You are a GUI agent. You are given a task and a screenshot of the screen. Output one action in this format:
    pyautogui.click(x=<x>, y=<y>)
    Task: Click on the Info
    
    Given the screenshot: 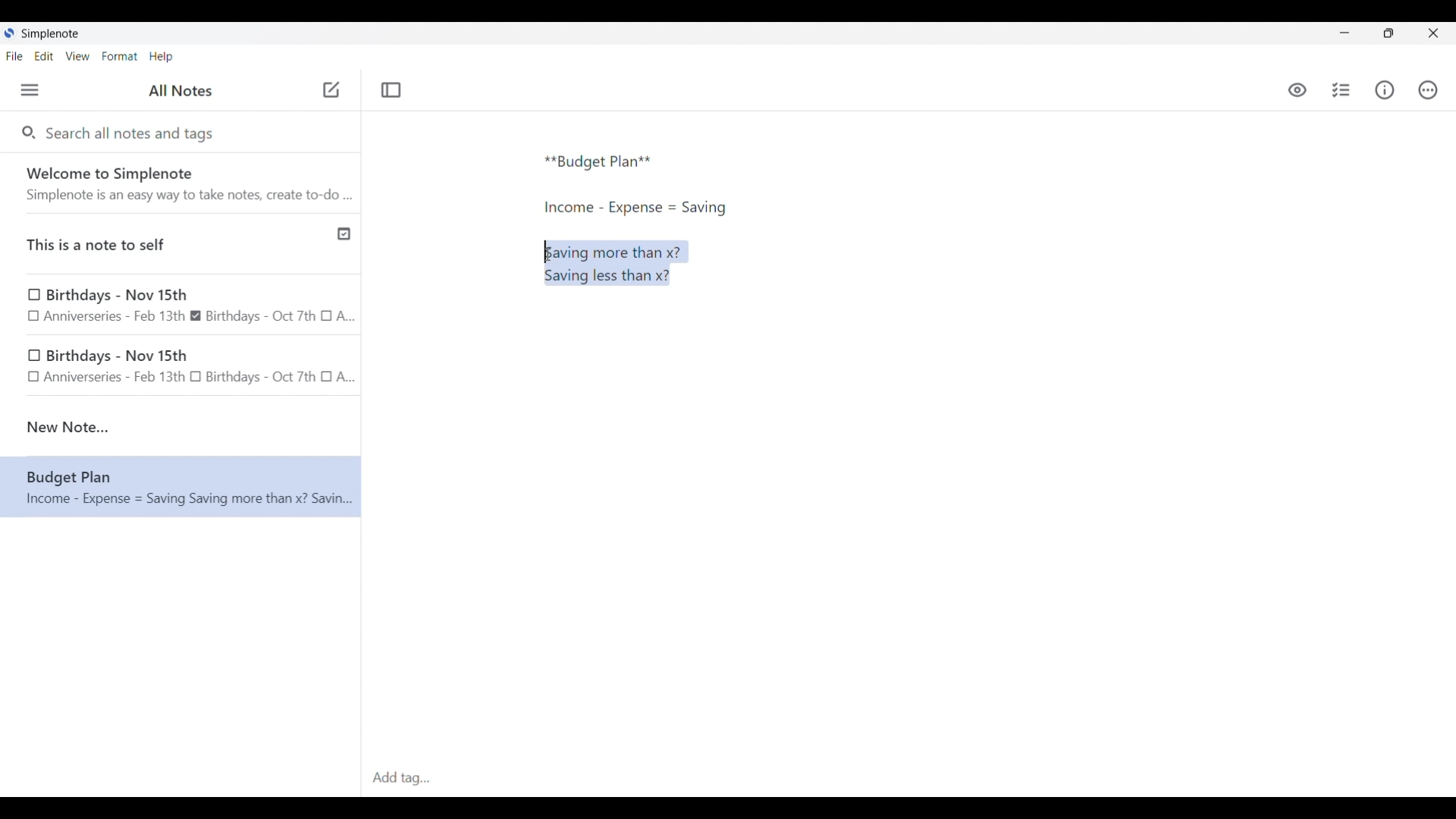 What is the action you would take?
    pyautogui.click(x=1385, y=89)
    